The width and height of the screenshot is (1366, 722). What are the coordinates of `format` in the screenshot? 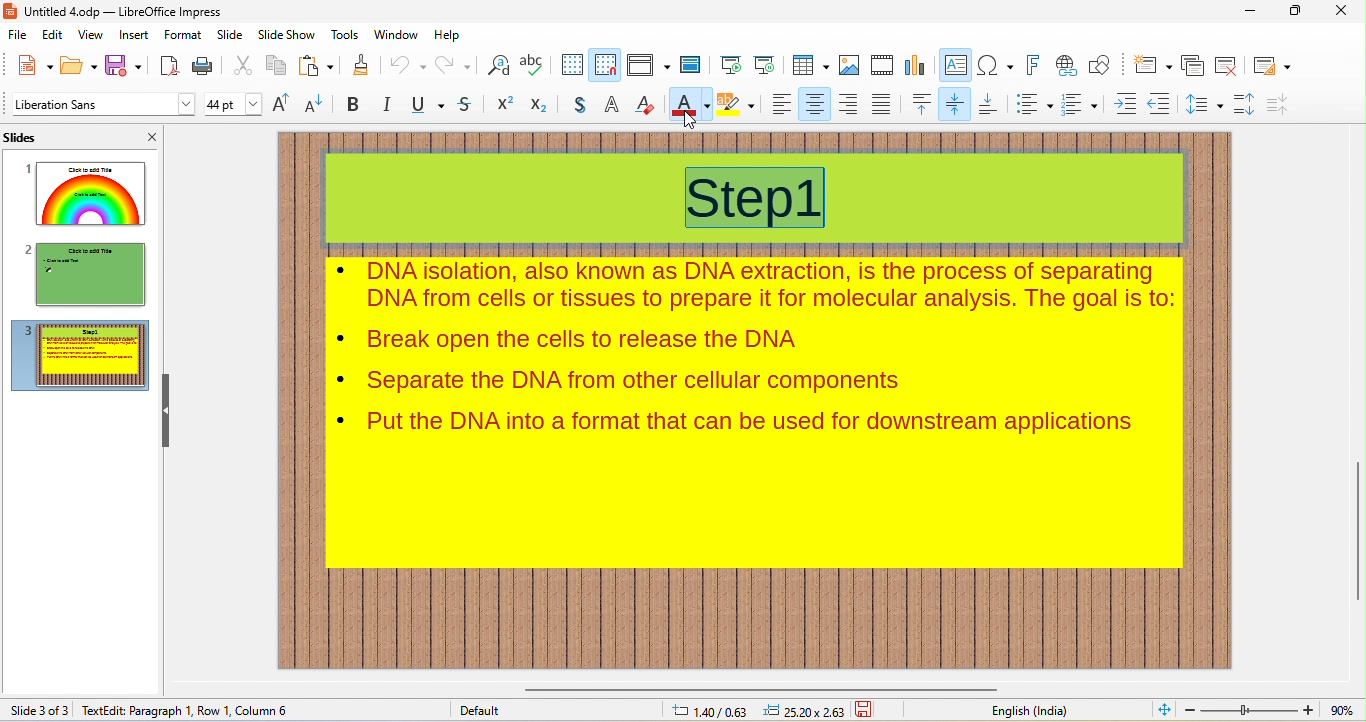 It's located at (180, 35).